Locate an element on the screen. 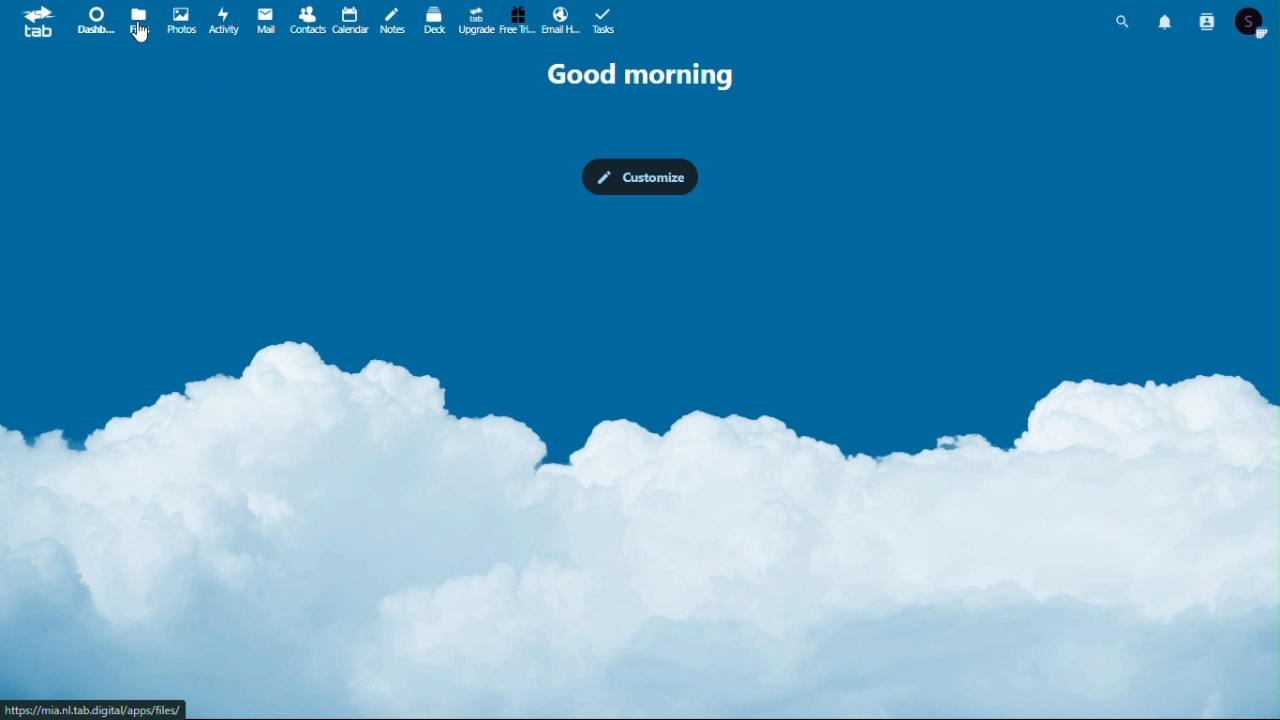  Search is located at coordinates (1127, 19).